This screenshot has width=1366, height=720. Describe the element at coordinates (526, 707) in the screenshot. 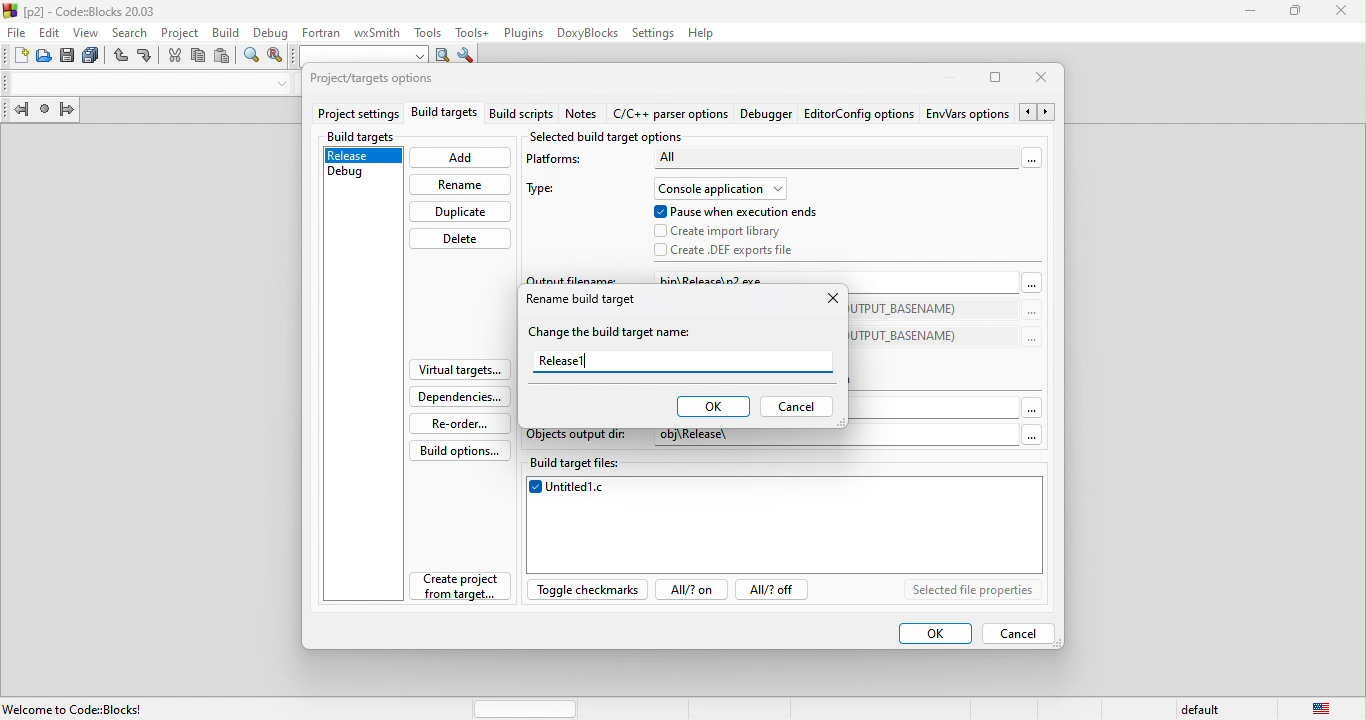

I see `horizontal scroll bar` at that location.